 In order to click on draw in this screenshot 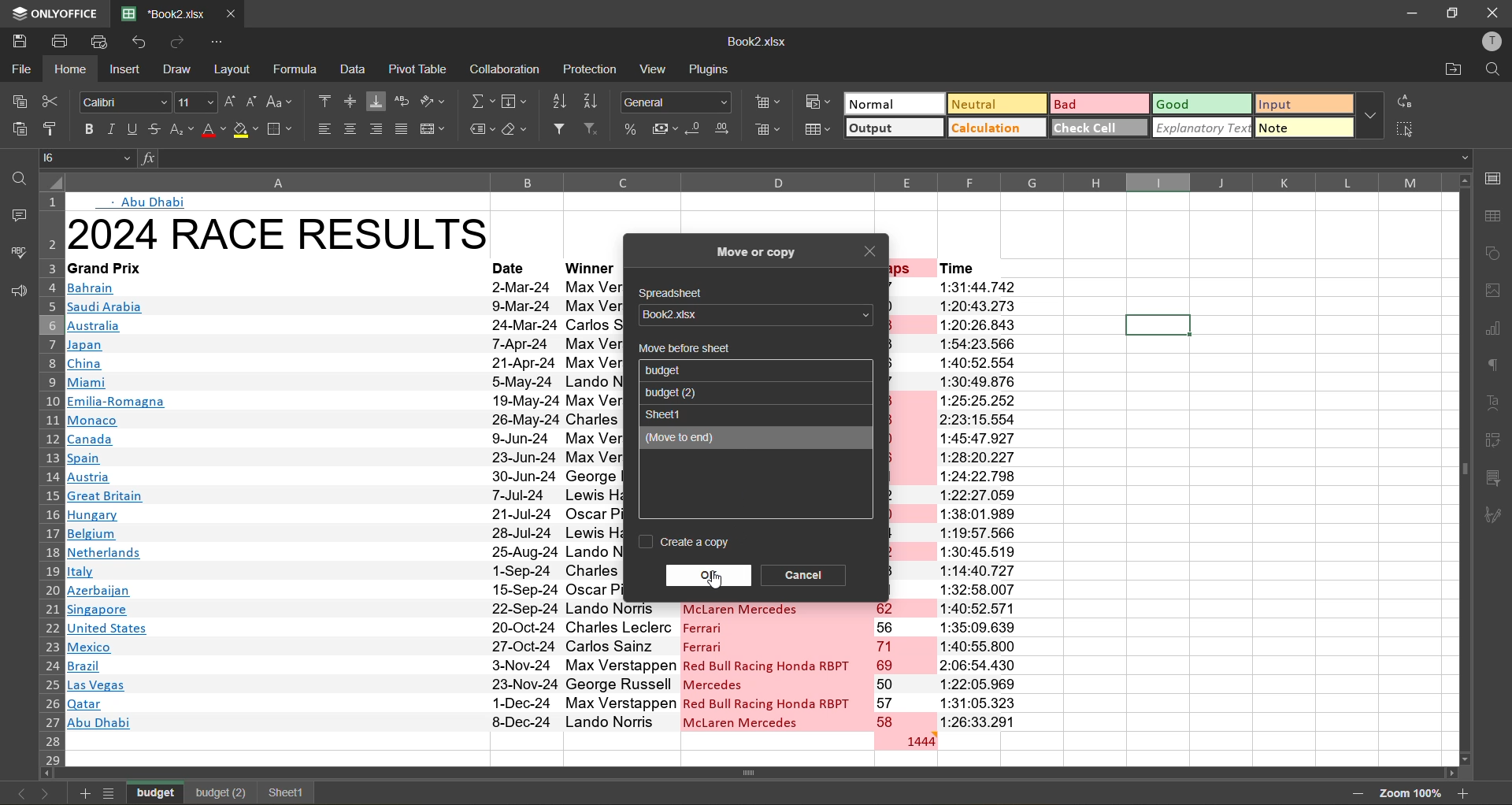, I will do `click(180, 71)`.